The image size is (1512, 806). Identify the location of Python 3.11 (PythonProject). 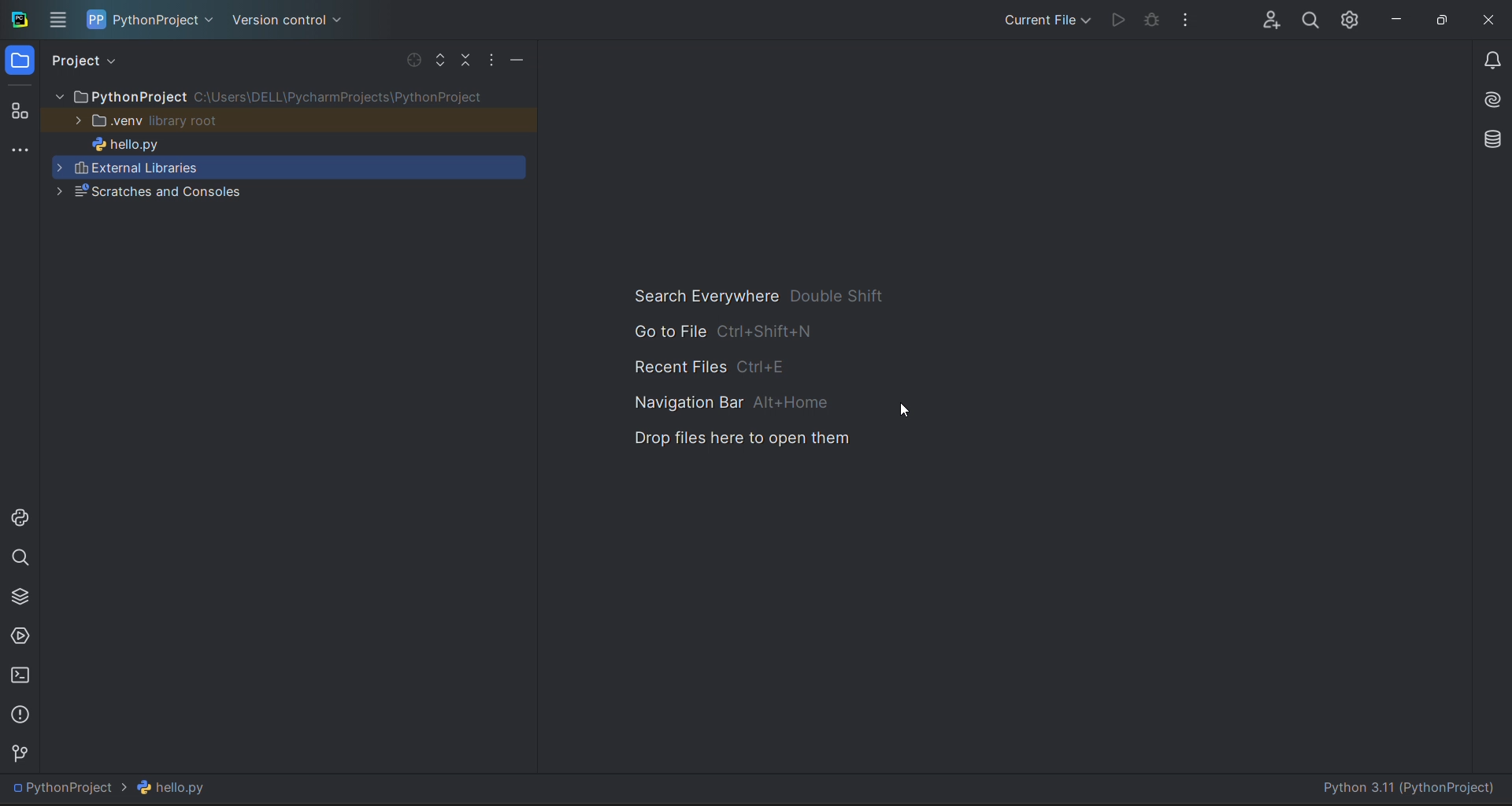
(1411, 788).